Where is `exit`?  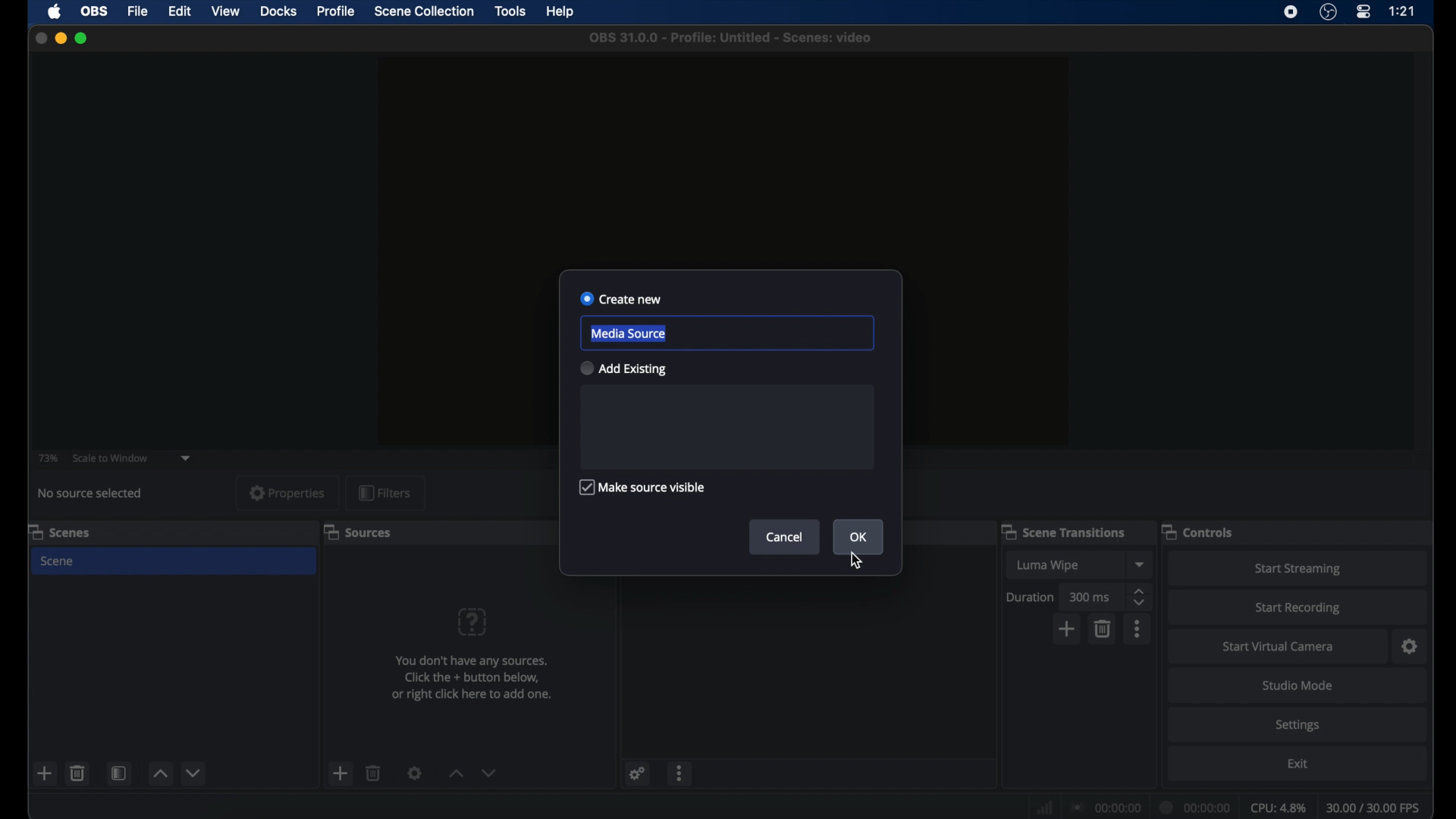
exit is located at coordinates (1298, 764).